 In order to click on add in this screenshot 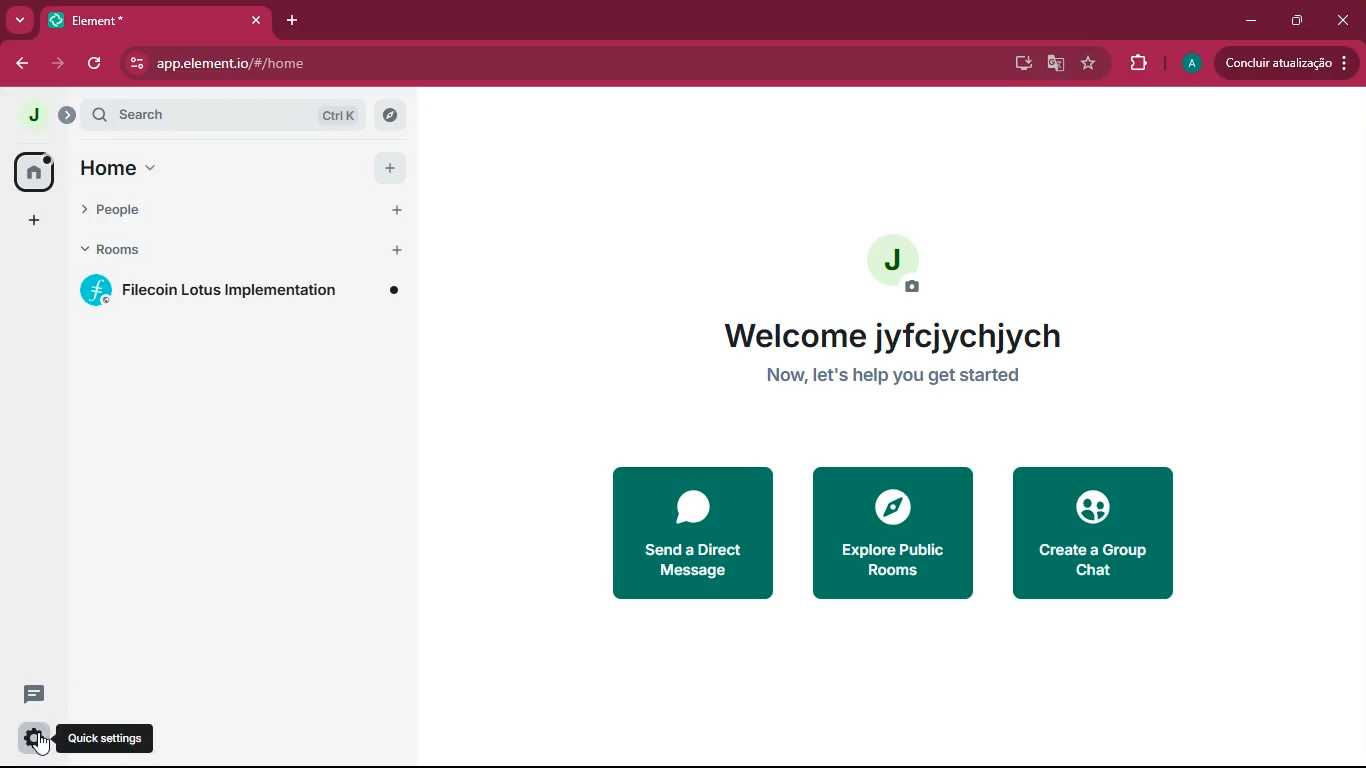, I will do `click(391, 168)`.